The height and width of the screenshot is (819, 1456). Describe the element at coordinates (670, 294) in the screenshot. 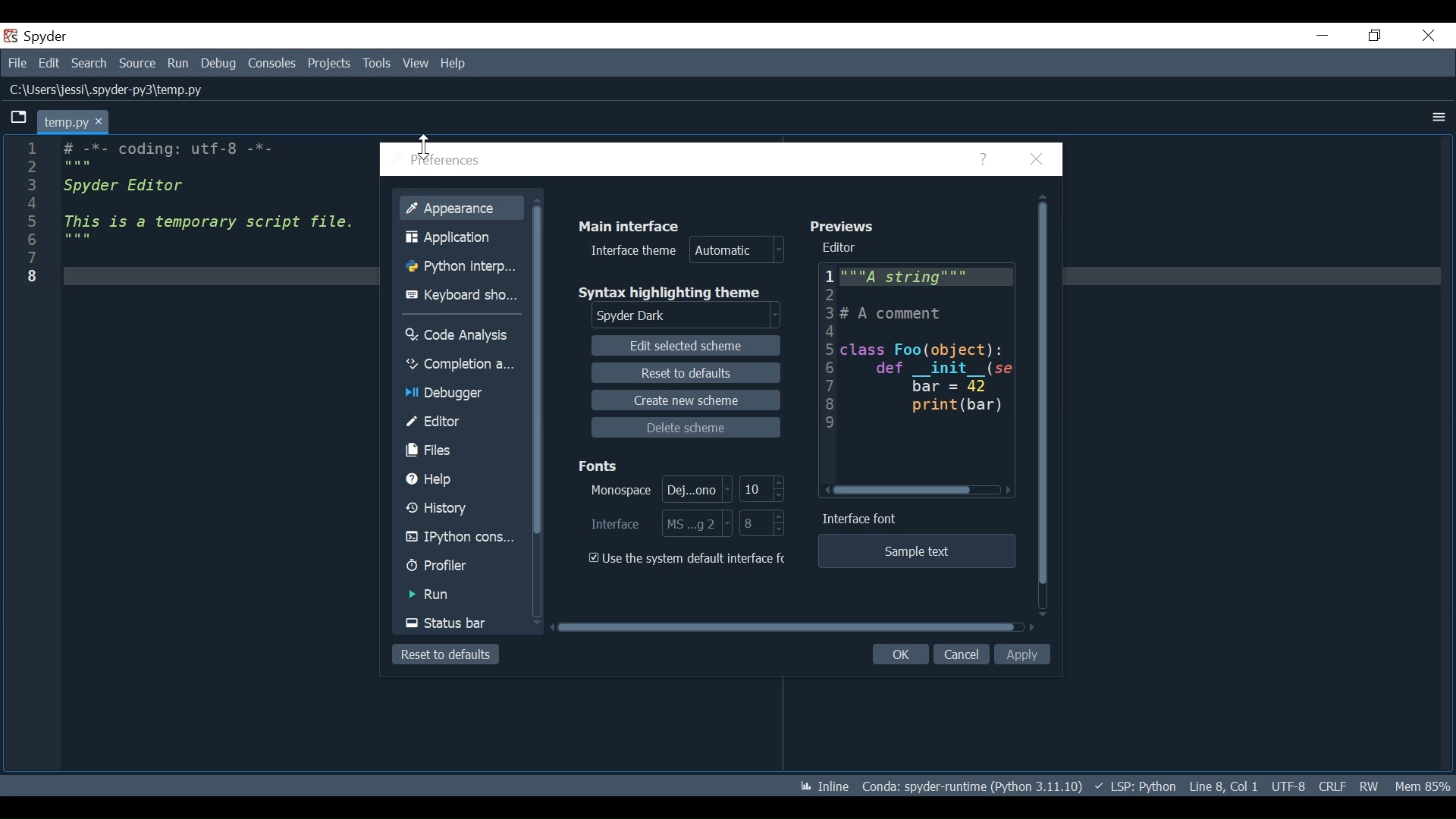

I see `Syntax highlighting theme` at that location.